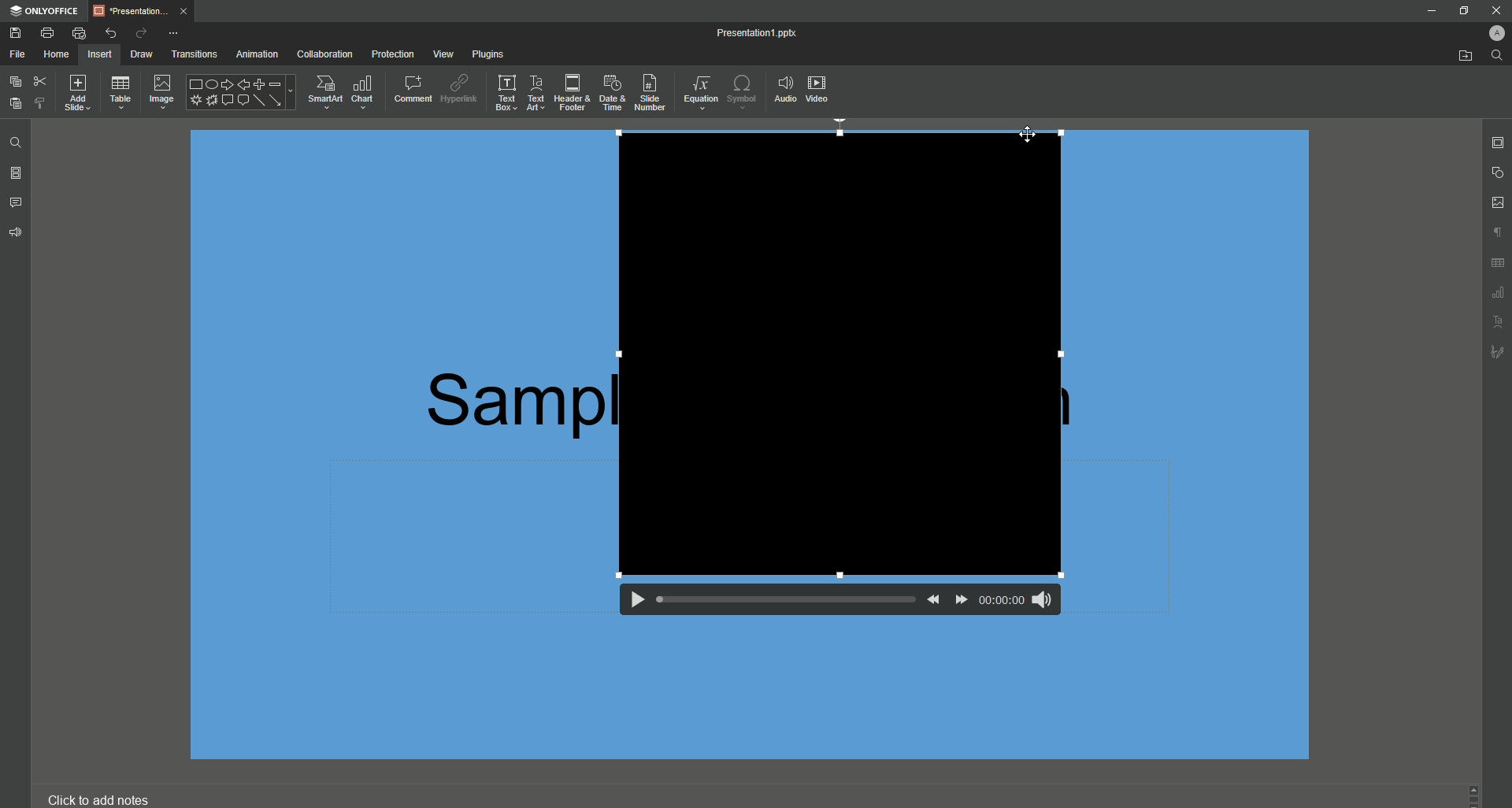  What do you see at coordinates (1029, 135) in the screenshot?
I see `Cursor` at bounding box center [1029, 135].